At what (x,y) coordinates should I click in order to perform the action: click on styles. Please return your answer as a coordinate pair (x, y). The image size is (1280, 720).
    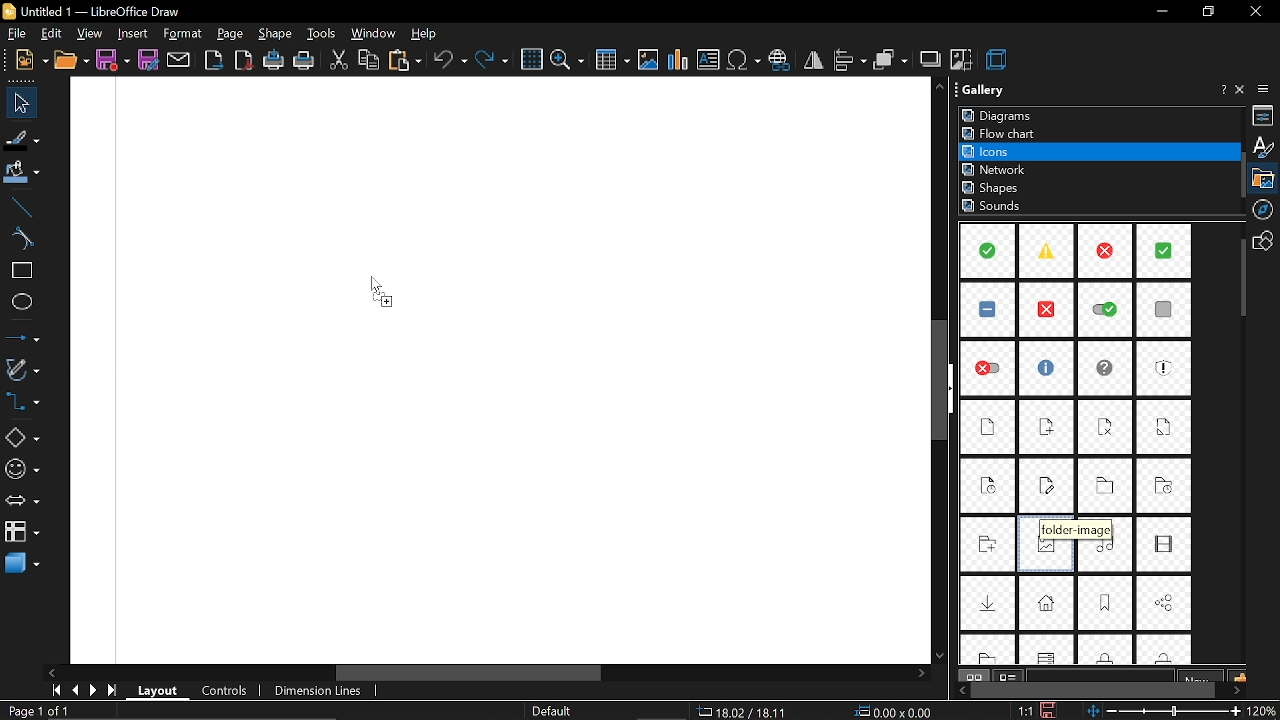
    Looking at the image, I should click on (1263, 147).